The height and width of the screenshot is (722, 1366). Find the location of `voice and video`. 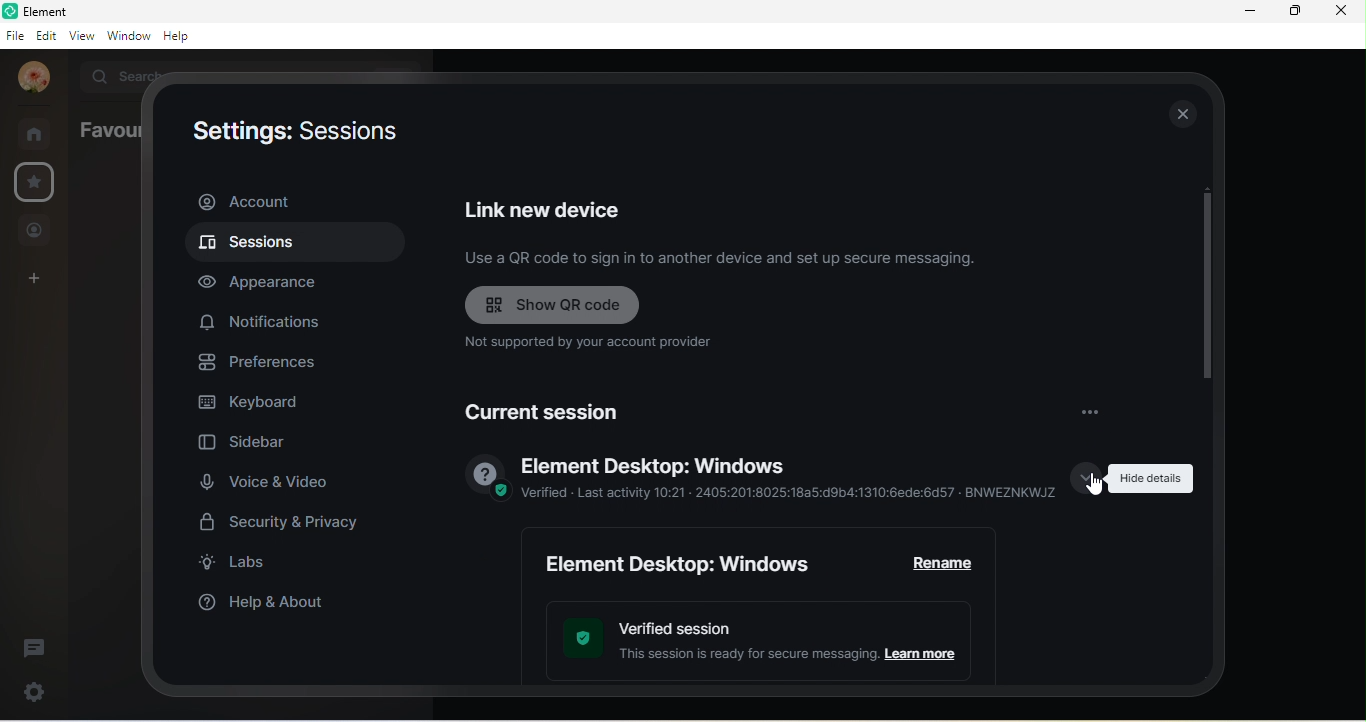

voice and video is located at coordinates (265, 481).